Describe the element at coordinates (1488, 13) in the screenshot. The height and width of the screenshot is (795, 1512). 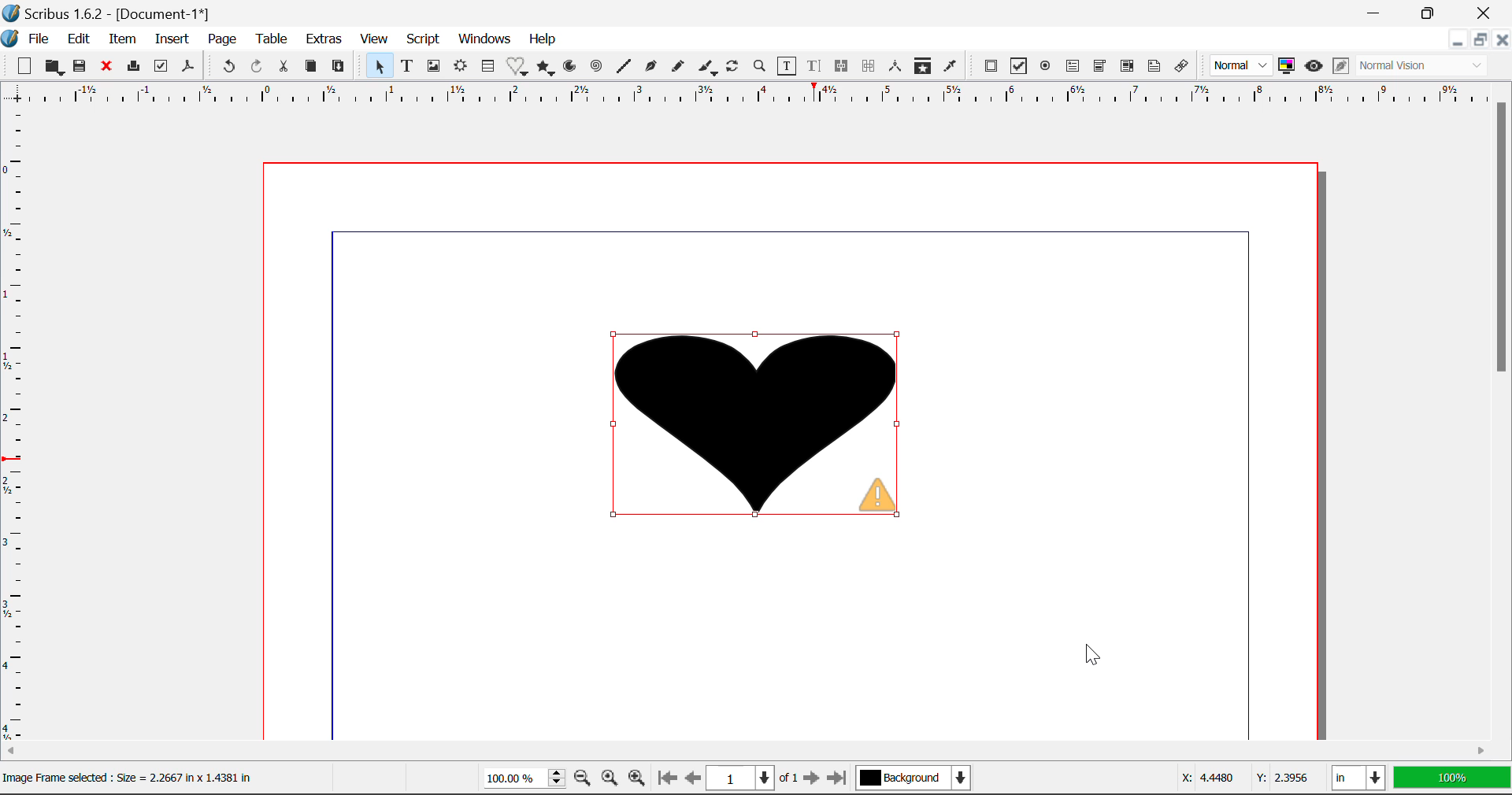
I see `Close` at that location.